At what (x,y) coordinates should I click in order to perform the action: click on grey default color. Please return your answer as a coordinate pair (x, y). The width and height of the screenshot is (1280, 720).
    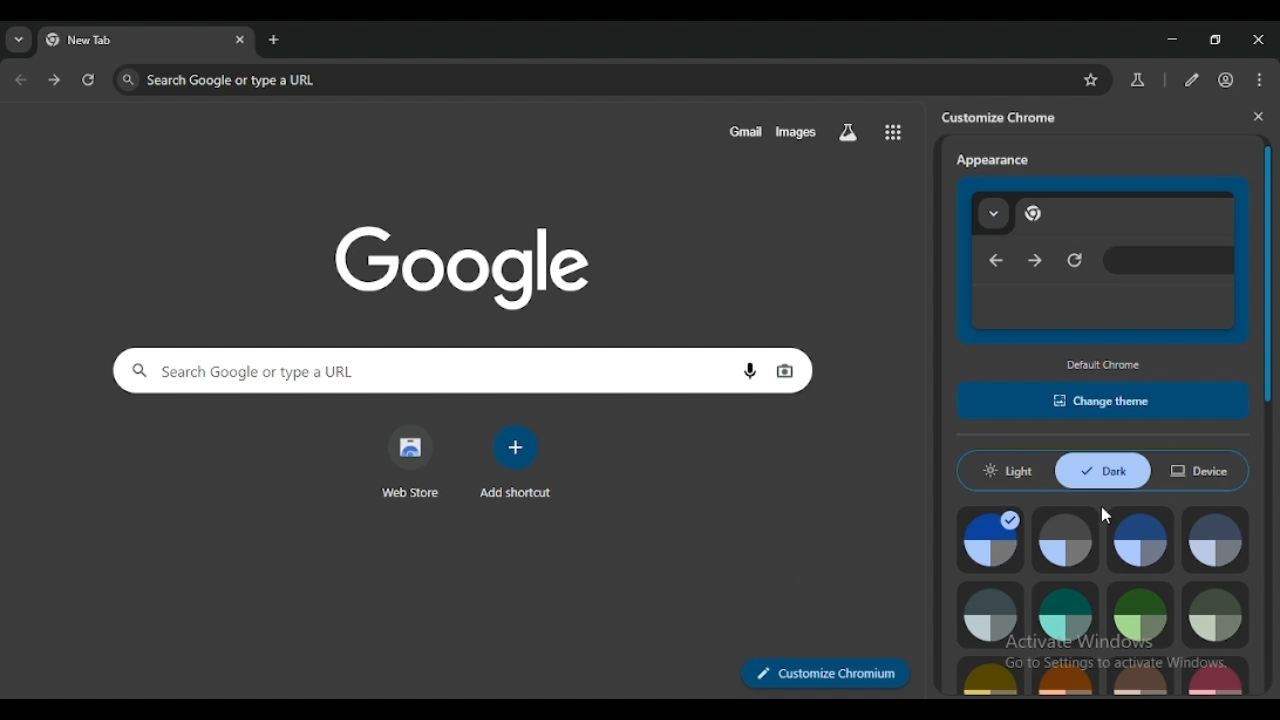
    Looking at the image, I should click on (1065, 540).